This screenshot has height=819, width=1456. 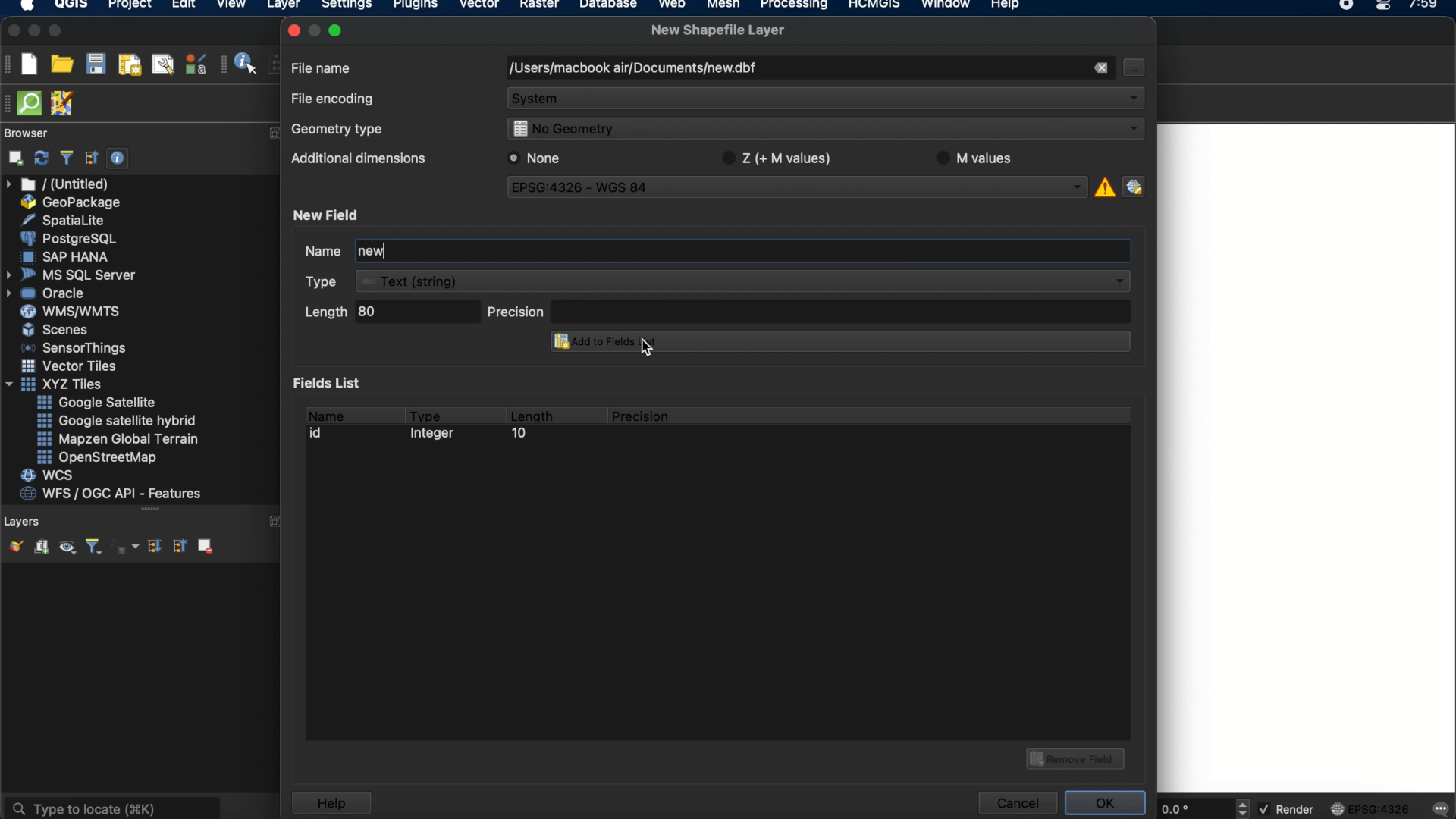 What do you see at coordinates (25, 6) in the screenshot?
I see `apple logo` at bounding box center [25, 6].